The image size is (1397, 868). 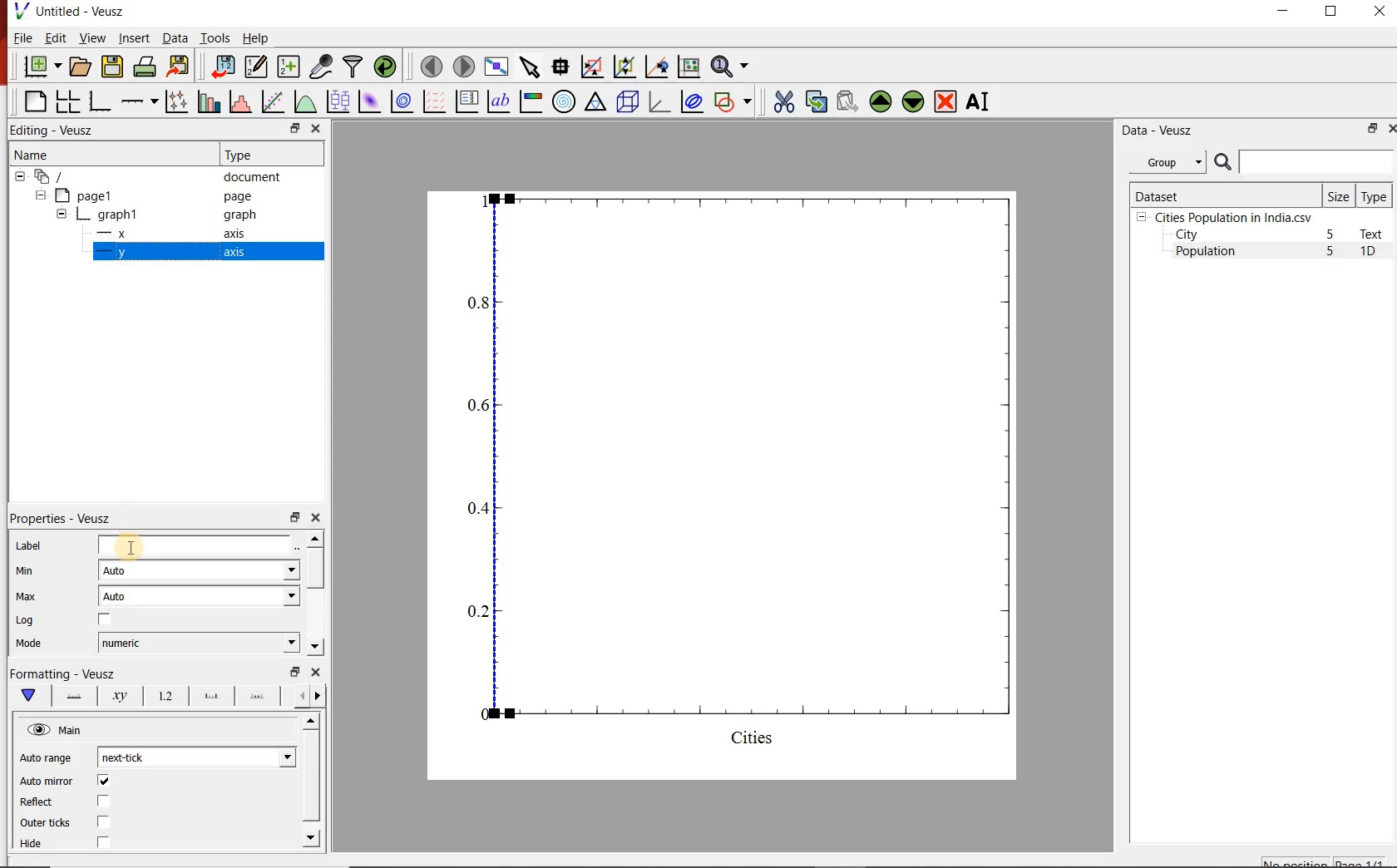 What do you see at coordinates (79, 67) in the screenshot?
I see `open a document` at bounding box center [79, 67].